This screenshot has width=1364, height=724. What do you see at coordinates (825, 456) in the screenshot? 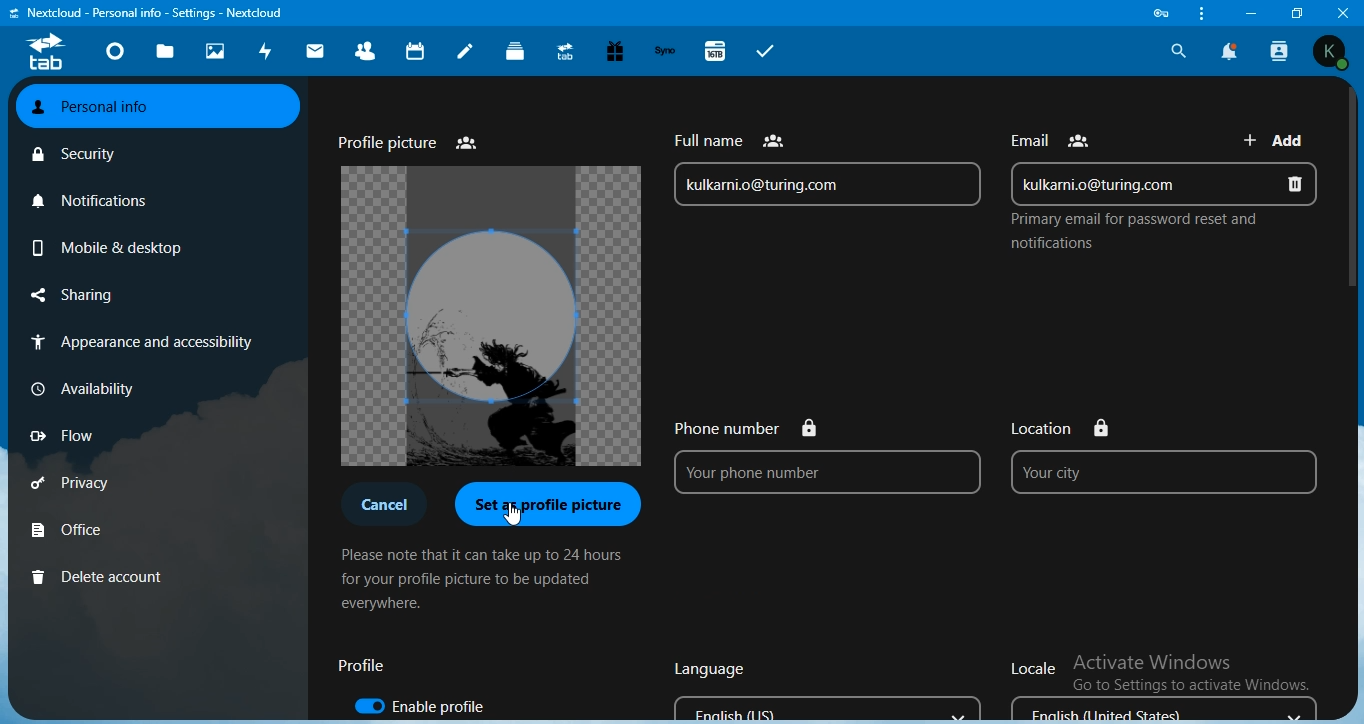
I see `phone no` at bounding box center [825, 456].